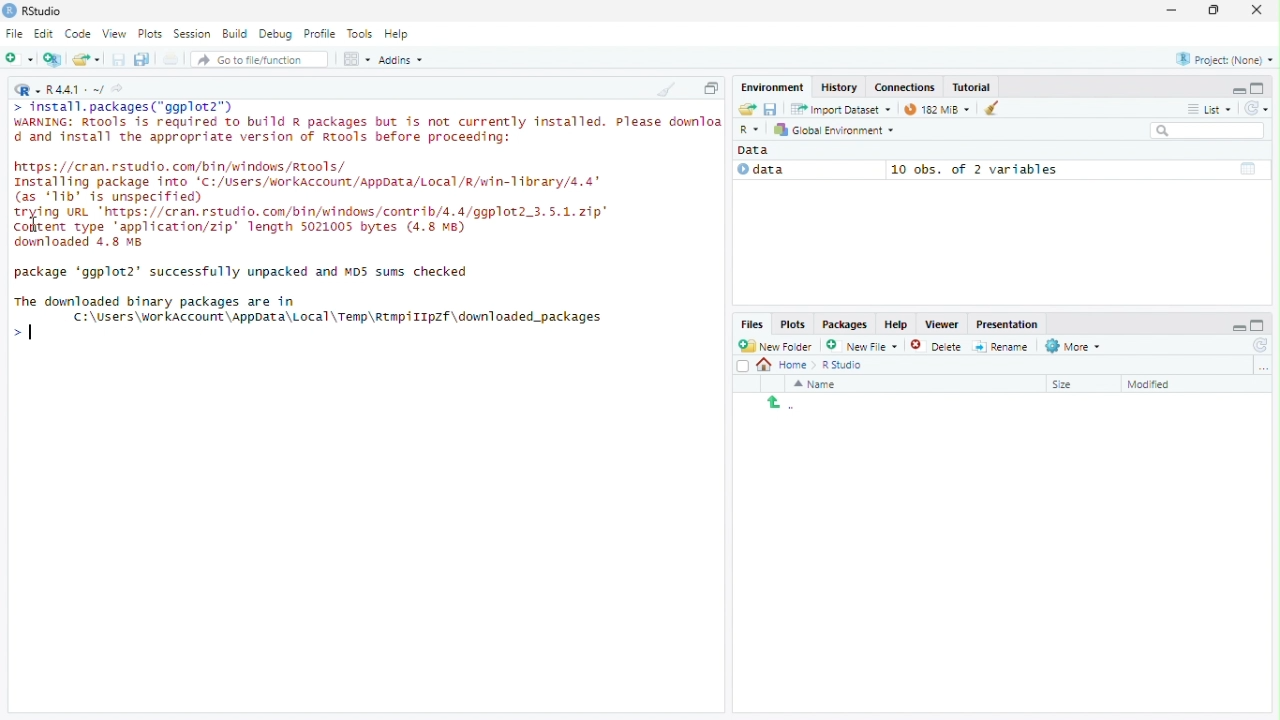 This screenshot has height=720, width=1280. What do you see at coordinates (75, 88) in the screenshot?
I see `R language version - R 4.4.1` at bounding box center [75, 88].